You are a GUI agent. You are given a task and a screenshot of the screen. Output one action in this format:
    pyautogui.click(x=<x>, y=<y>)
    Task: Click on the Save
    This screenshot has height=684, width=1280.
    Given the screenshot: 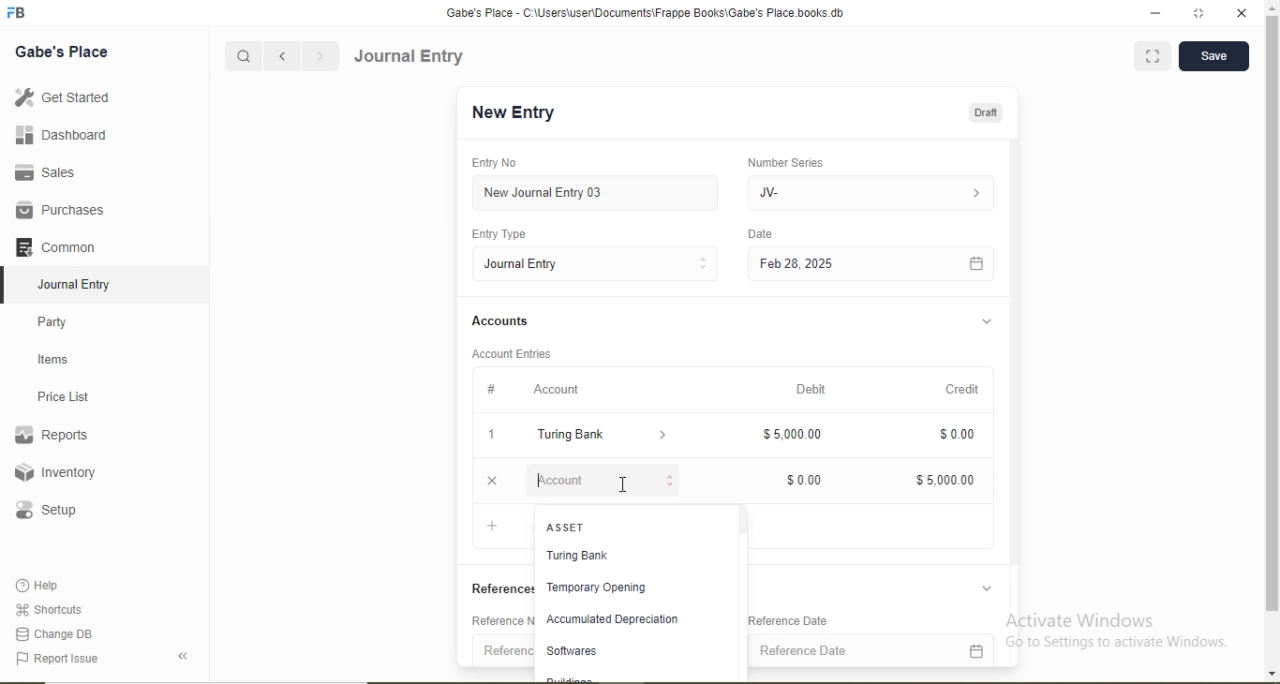 What is the action you would take?
    pyautogui.click(x=1214, y=55)
    